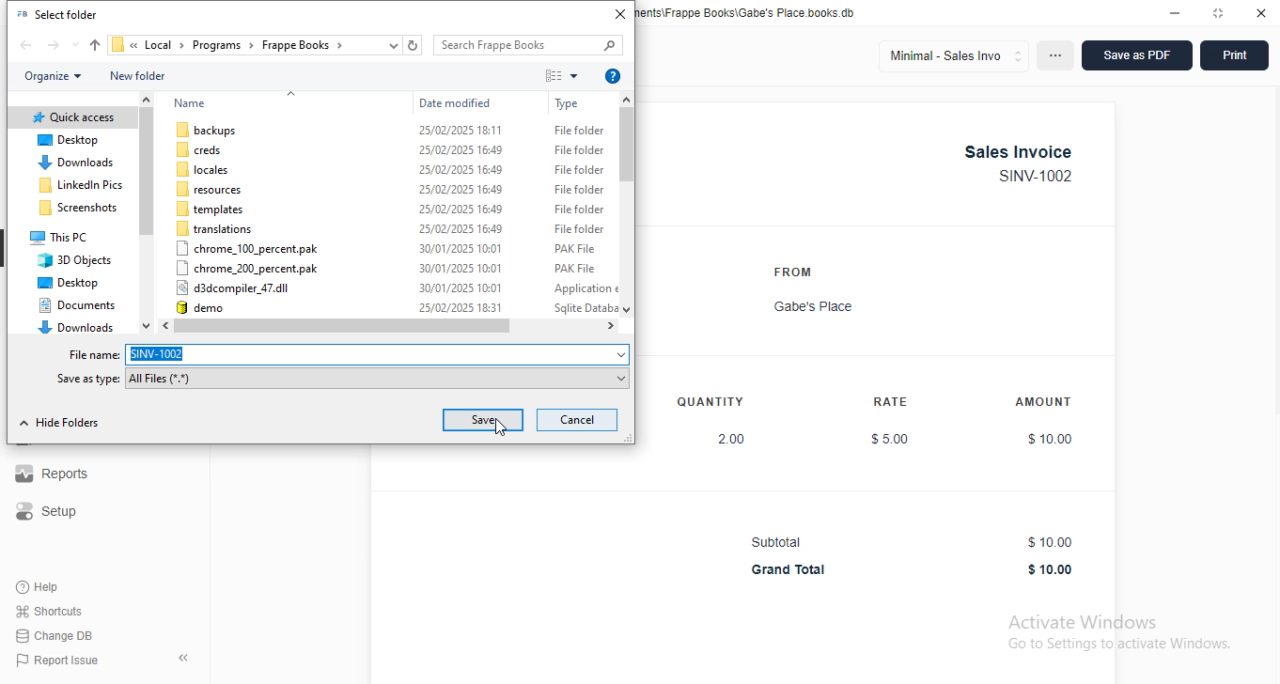  Describe the element at coordinates (379, 354) in the screenshot. I see `SINV-1002` at that location.